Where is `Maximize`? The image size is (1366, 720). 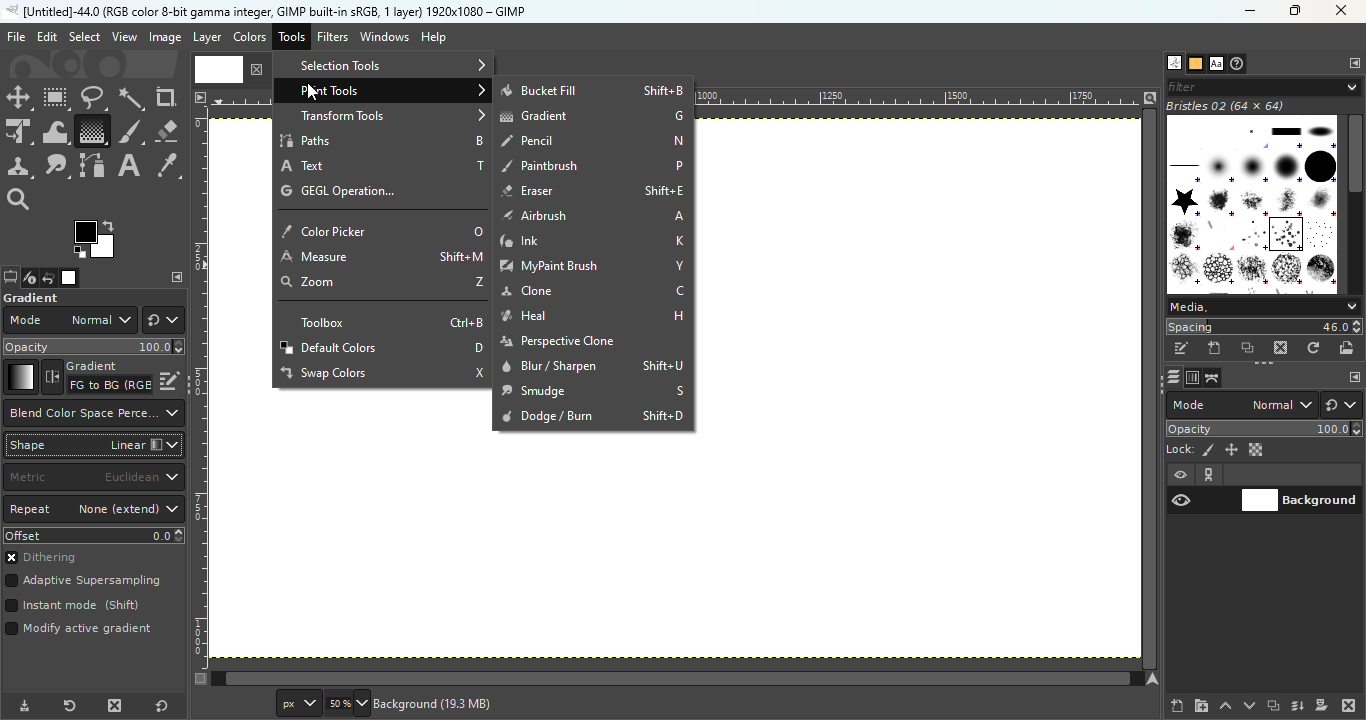
Maximize is located at coordinates (1300, 11).